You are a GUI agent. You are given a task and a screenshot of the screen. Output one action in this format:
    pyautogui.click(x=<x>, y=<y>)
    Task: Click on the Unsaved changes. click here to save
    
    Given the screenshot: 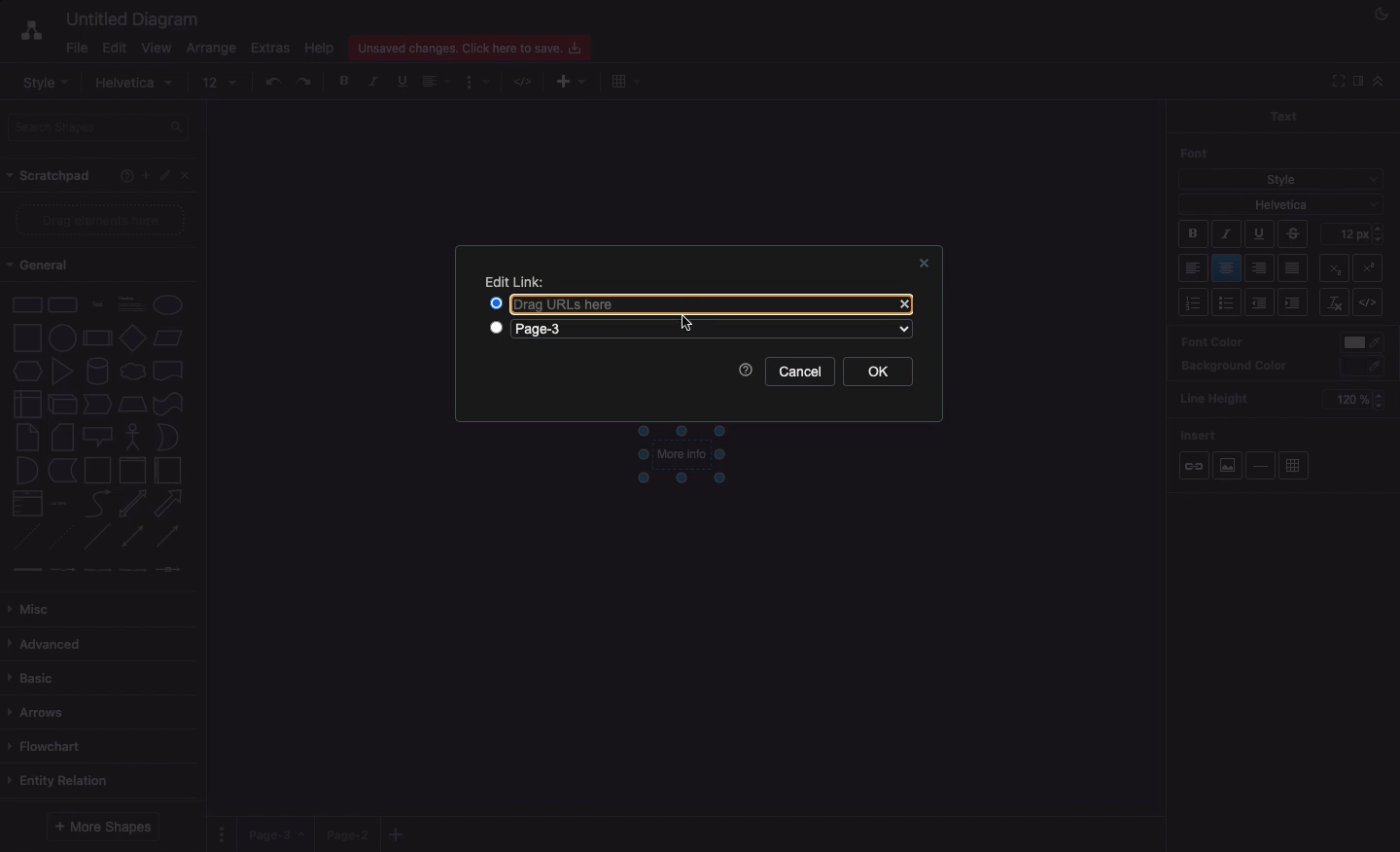 What is the action you would take?
    pyautogui.click(x=468, y=47)
    